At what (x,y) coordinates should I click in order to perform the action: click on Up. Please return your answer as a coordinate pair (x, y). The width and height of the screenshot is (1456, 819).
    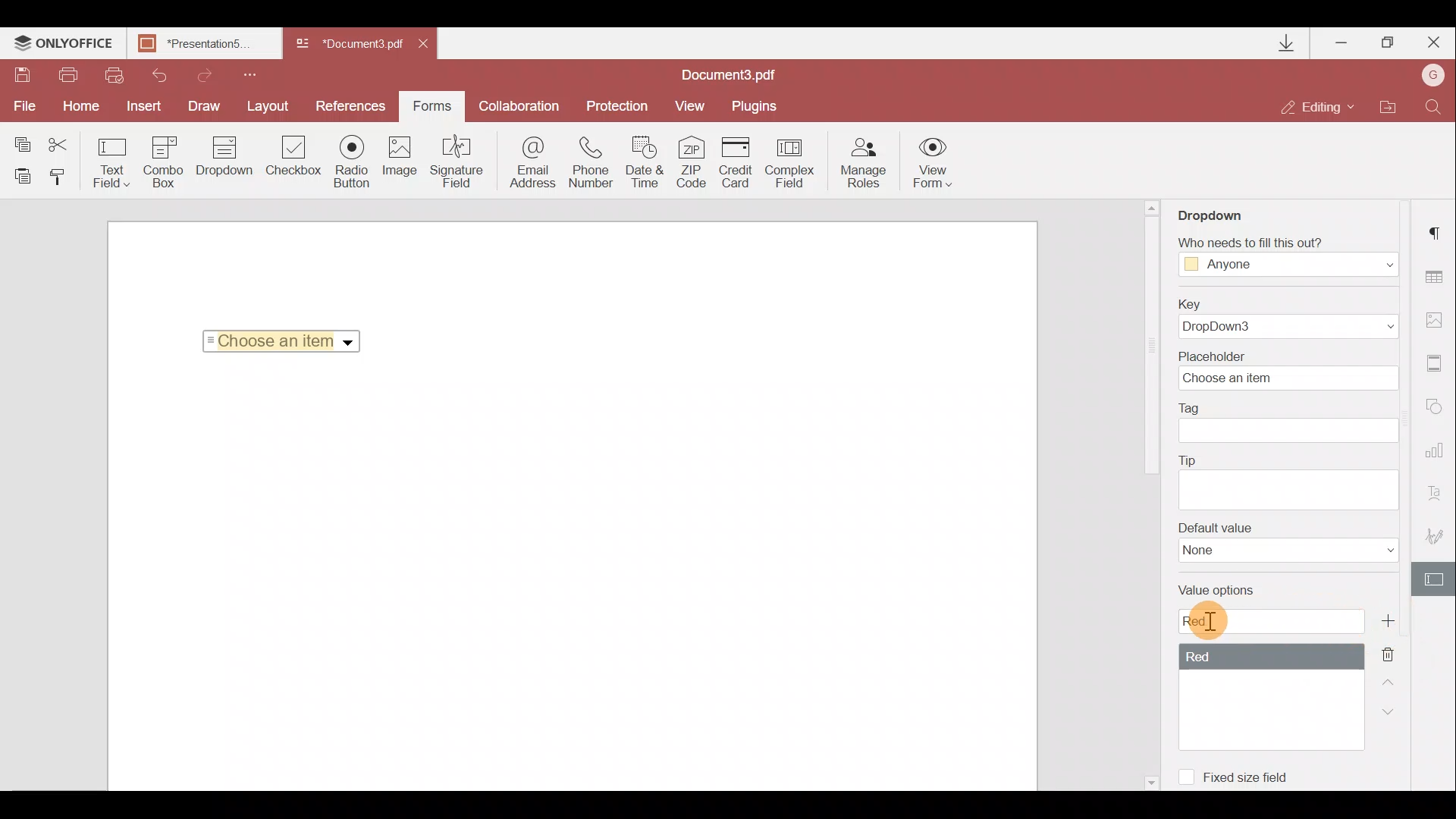
    Looking at the image, I should click on (1391, 679).